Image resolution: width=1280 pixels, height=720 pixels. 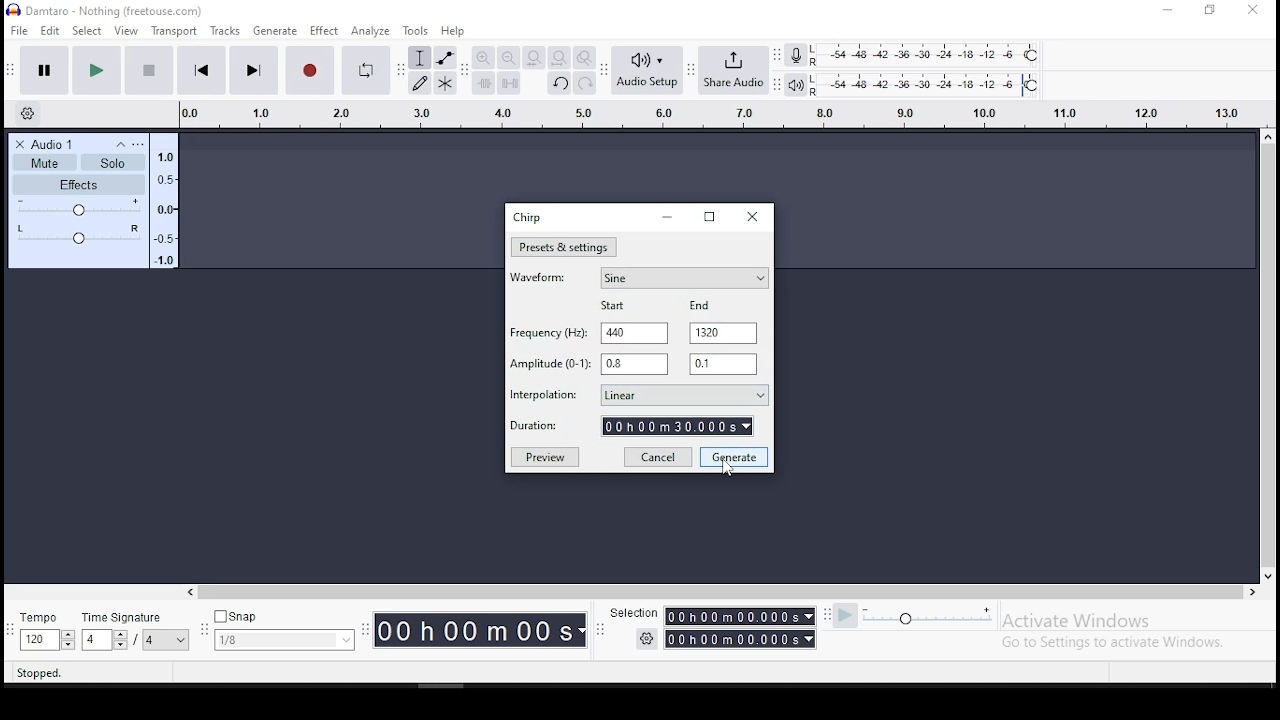 What do you see at coordinates (633, 426) in the screenshot?
I see `duration` at bounding box center [633, 426].